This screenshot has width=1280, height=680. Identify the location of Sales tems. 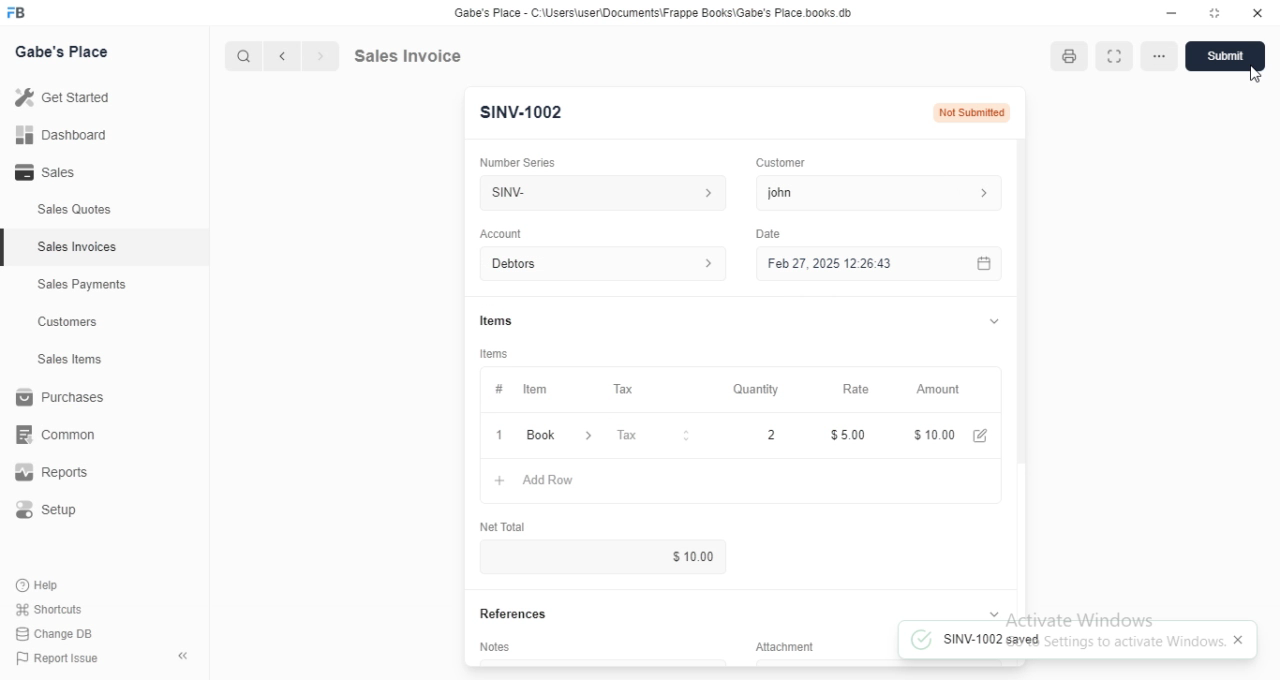
(71, 359).